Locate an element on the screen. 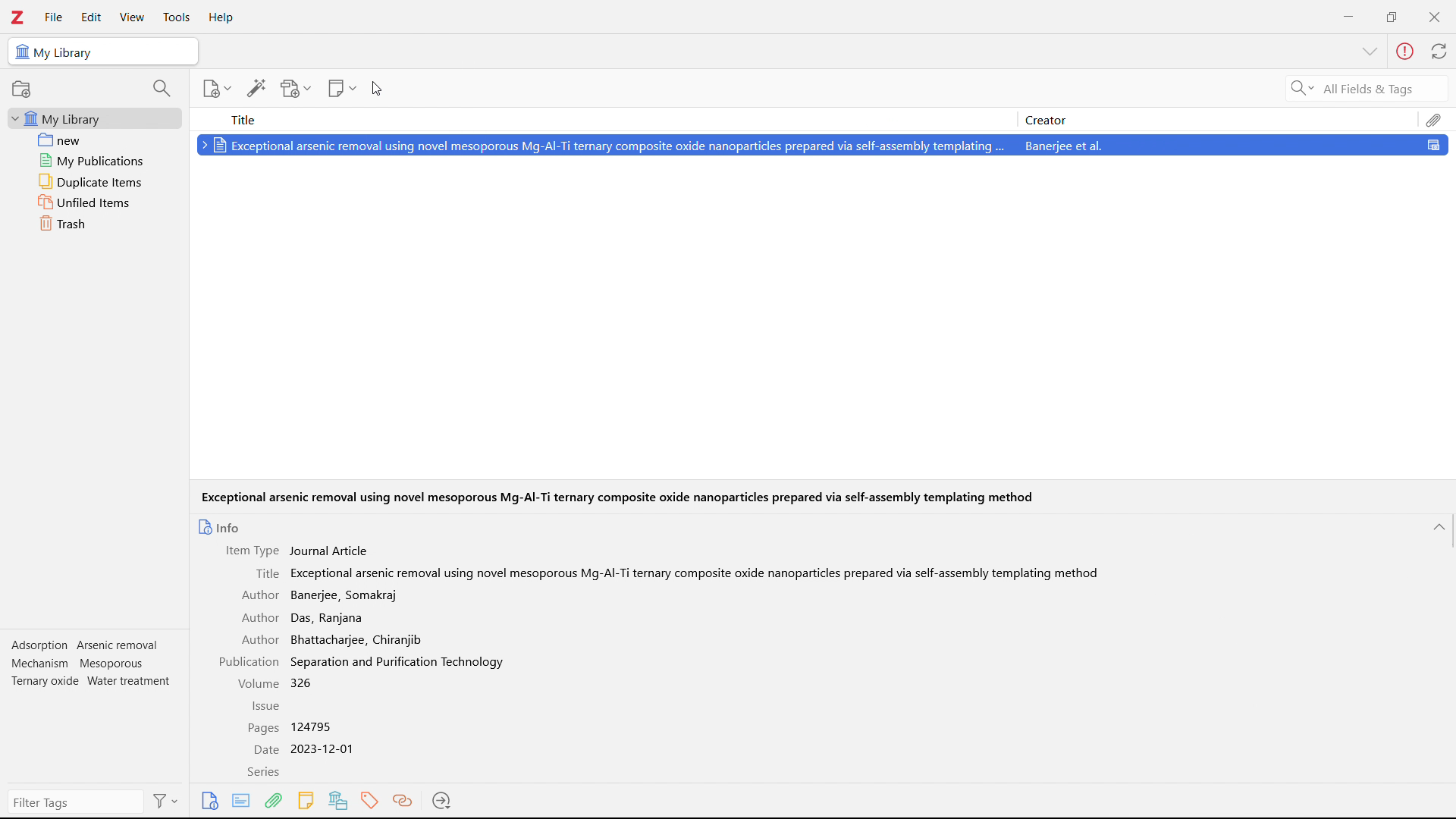 The width and height of the screenshot is (1456, 819). Journal Article is located at coordinates (334, 551).